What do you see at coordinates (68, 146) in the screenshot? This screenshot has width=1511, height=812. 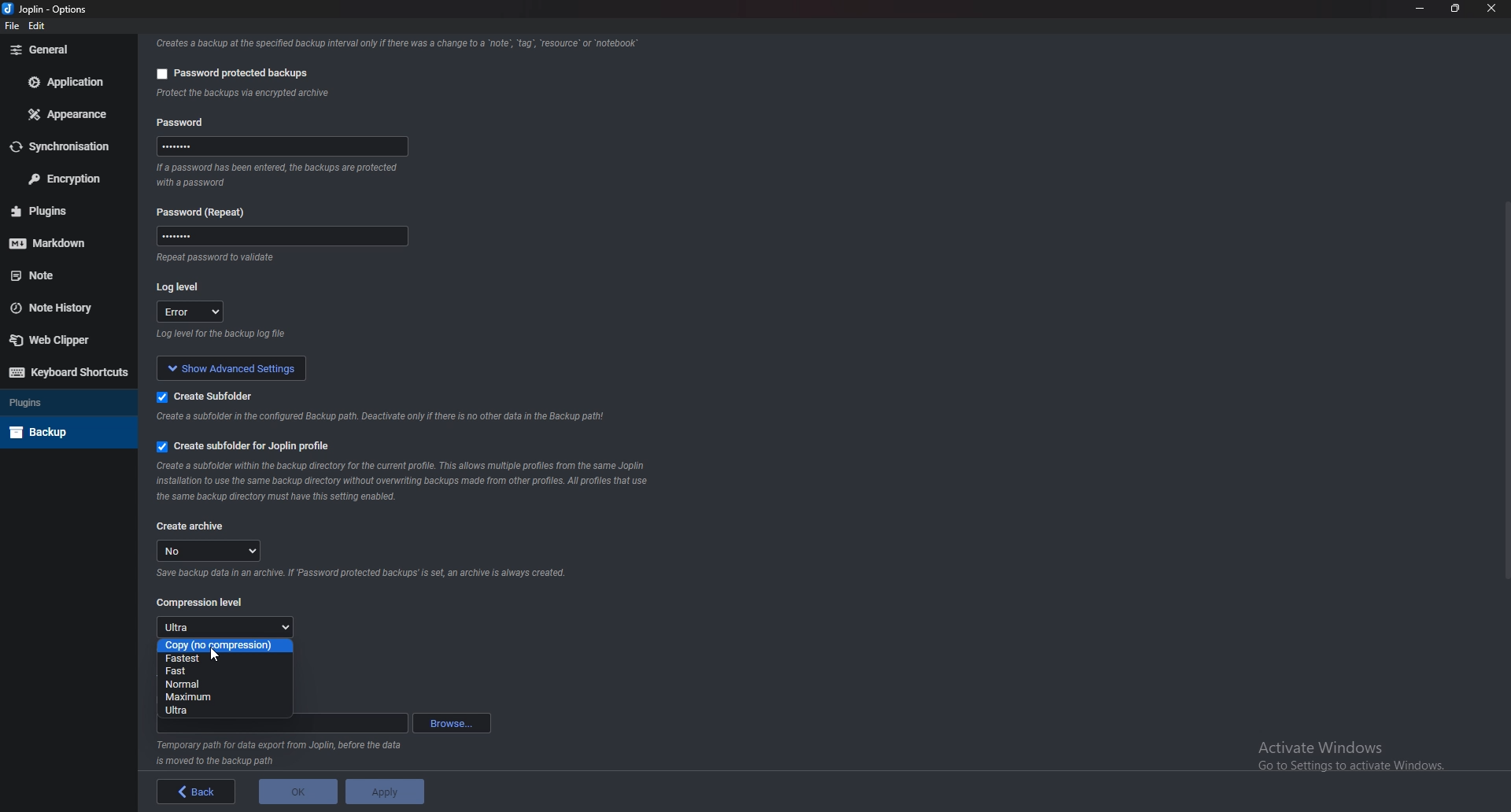 I see `Synchronization` at bounding box center [68, 146].